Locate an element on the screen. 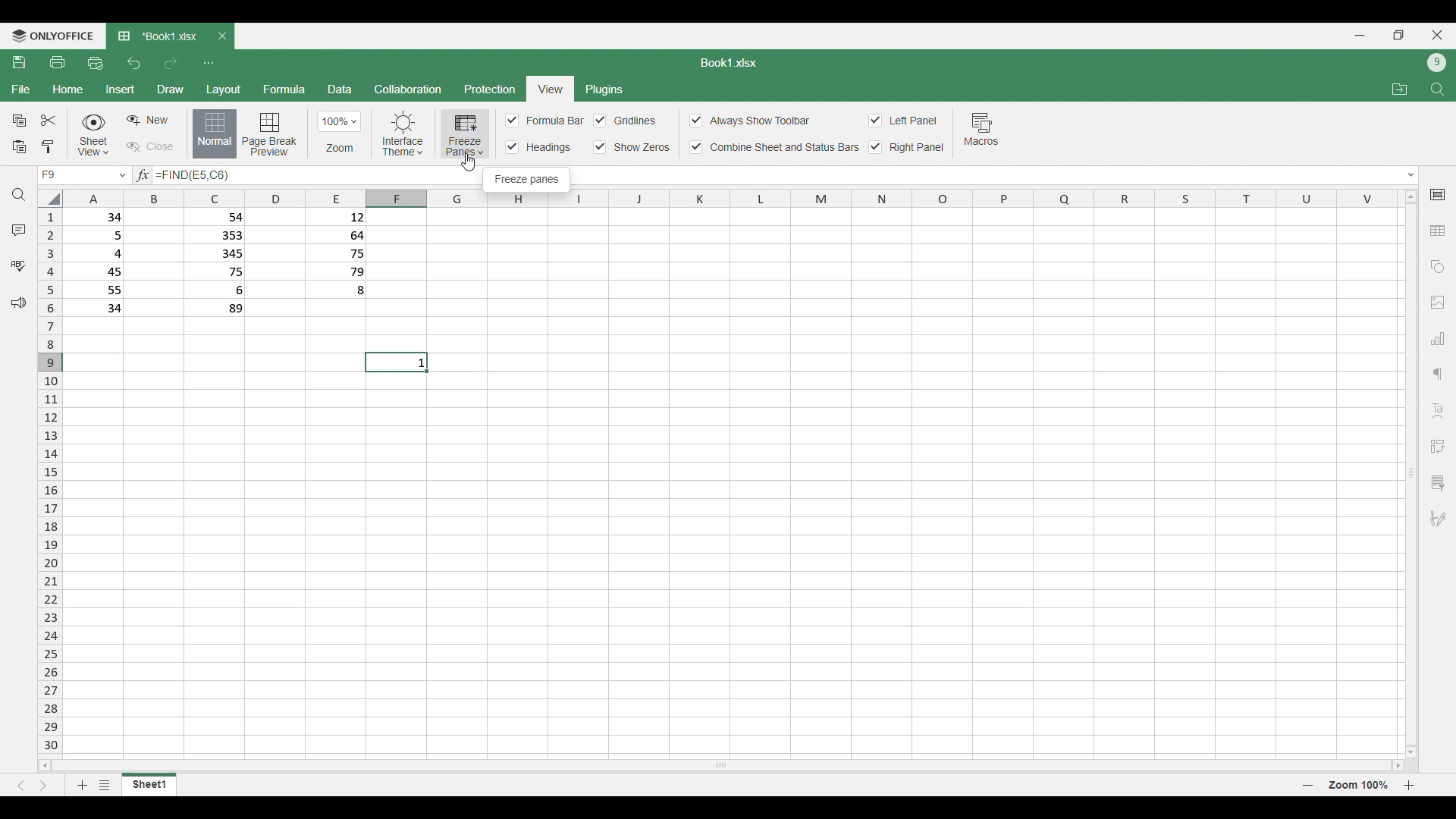 The image size is (1456, 819). Indicates columns is located at coordinates (736, 199).